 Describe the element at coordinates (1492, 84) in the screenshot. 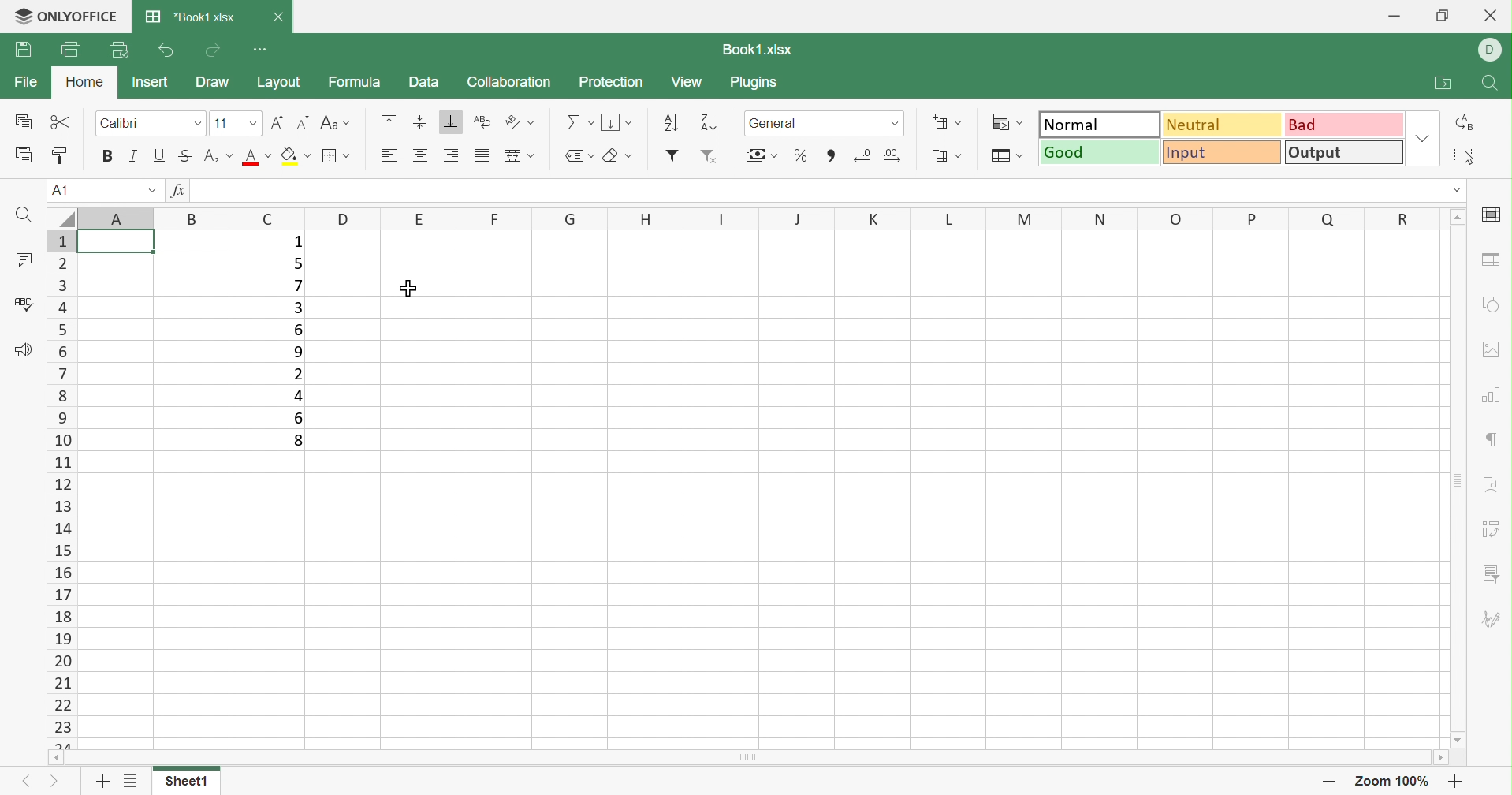

I see `Find` at that location.